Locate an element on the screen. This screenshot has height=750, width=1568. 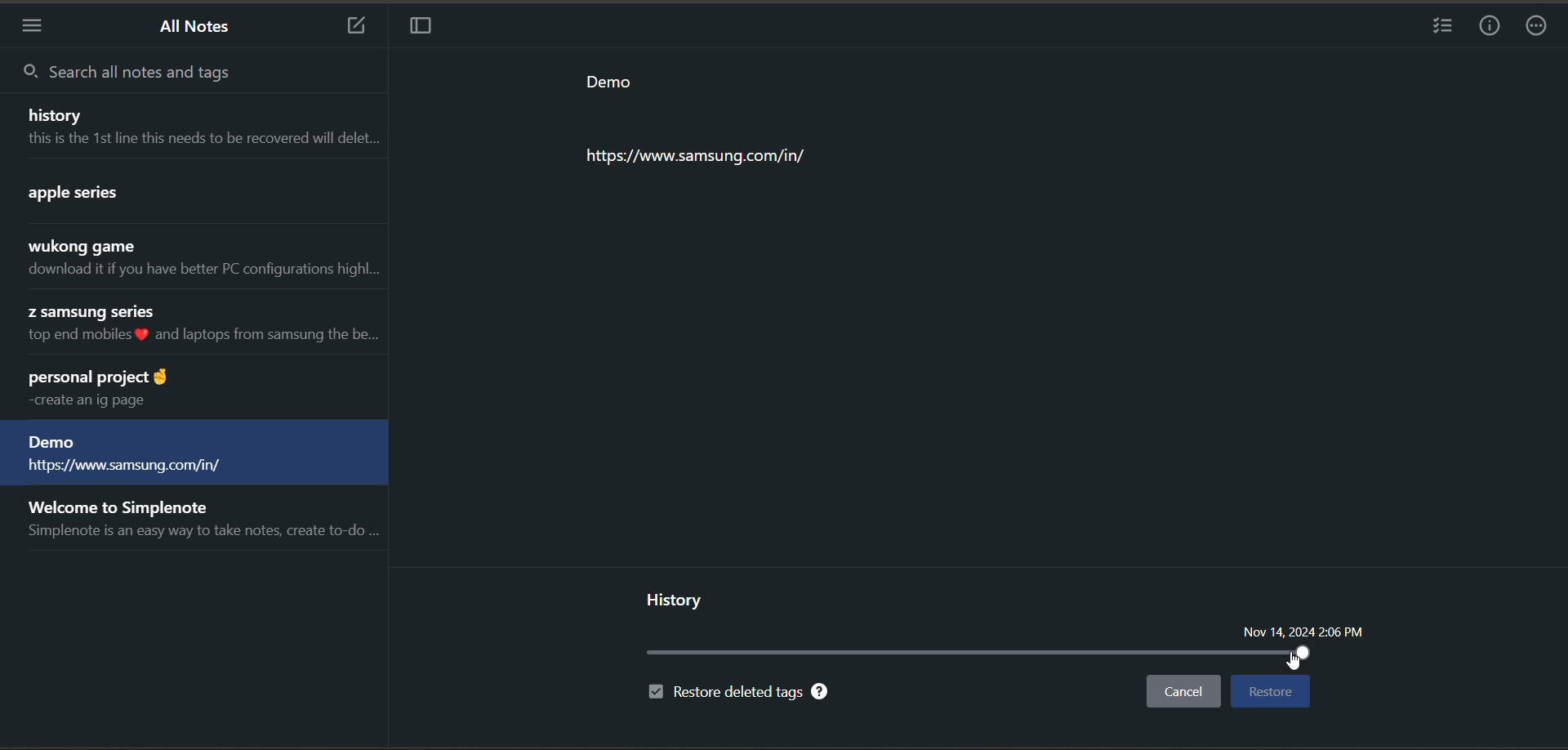
search all notes and tags is located at coordinates (132, 73).